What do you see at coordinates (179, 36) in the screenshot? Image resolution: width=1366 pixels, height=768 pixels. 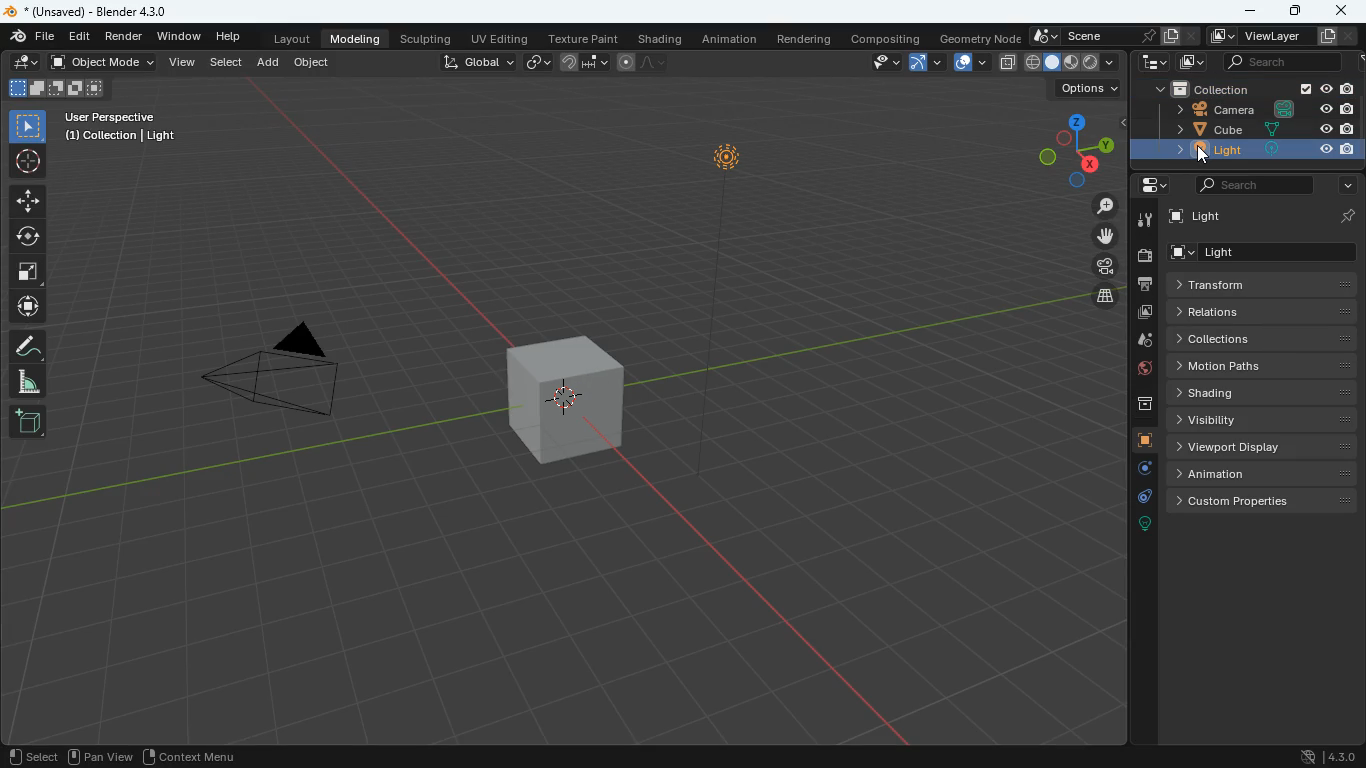 I see `window` at bounding box center [179, 36].